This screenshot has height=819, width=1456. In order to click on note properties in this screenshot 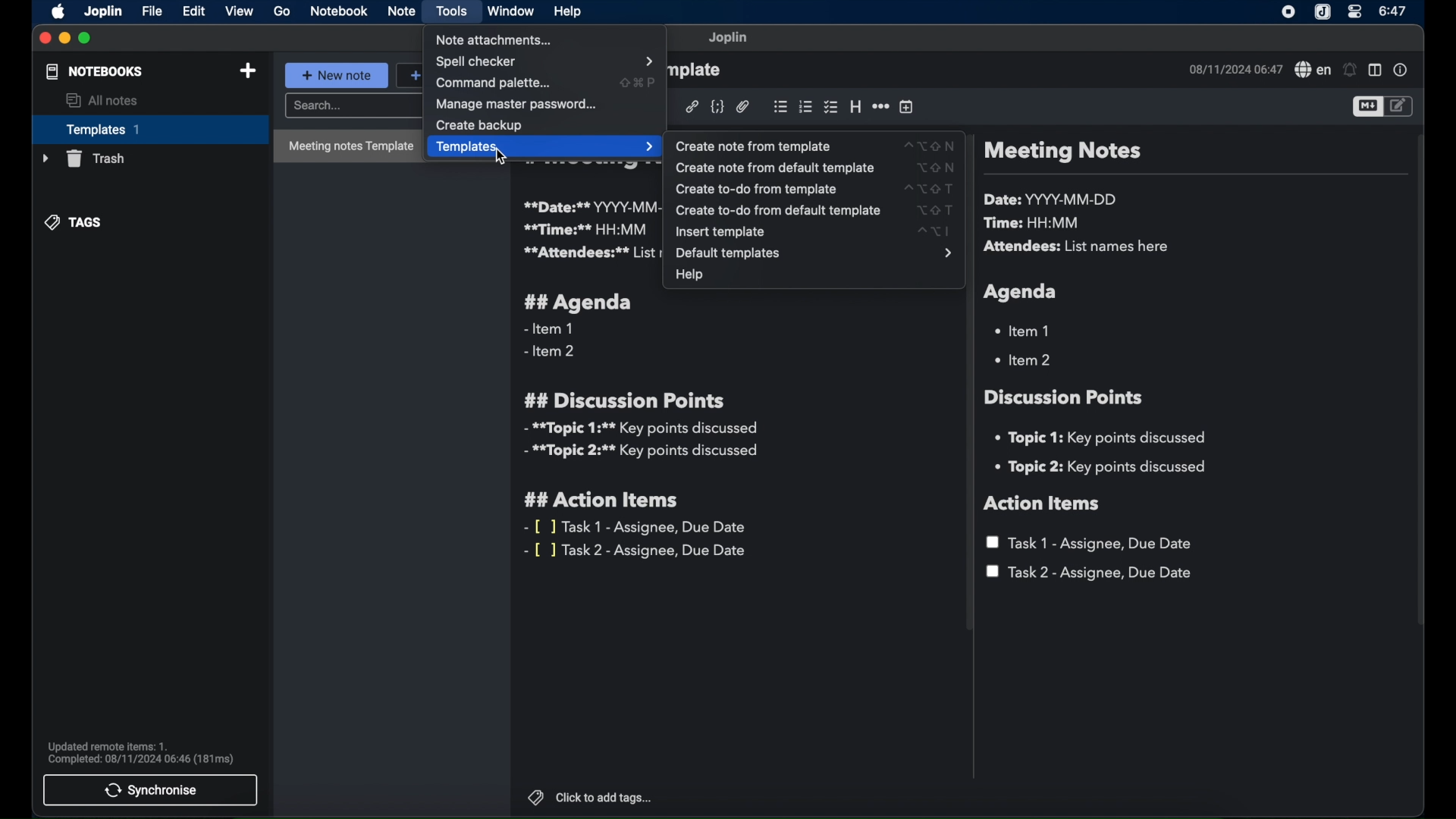, I will do `click(1402, 71)`.